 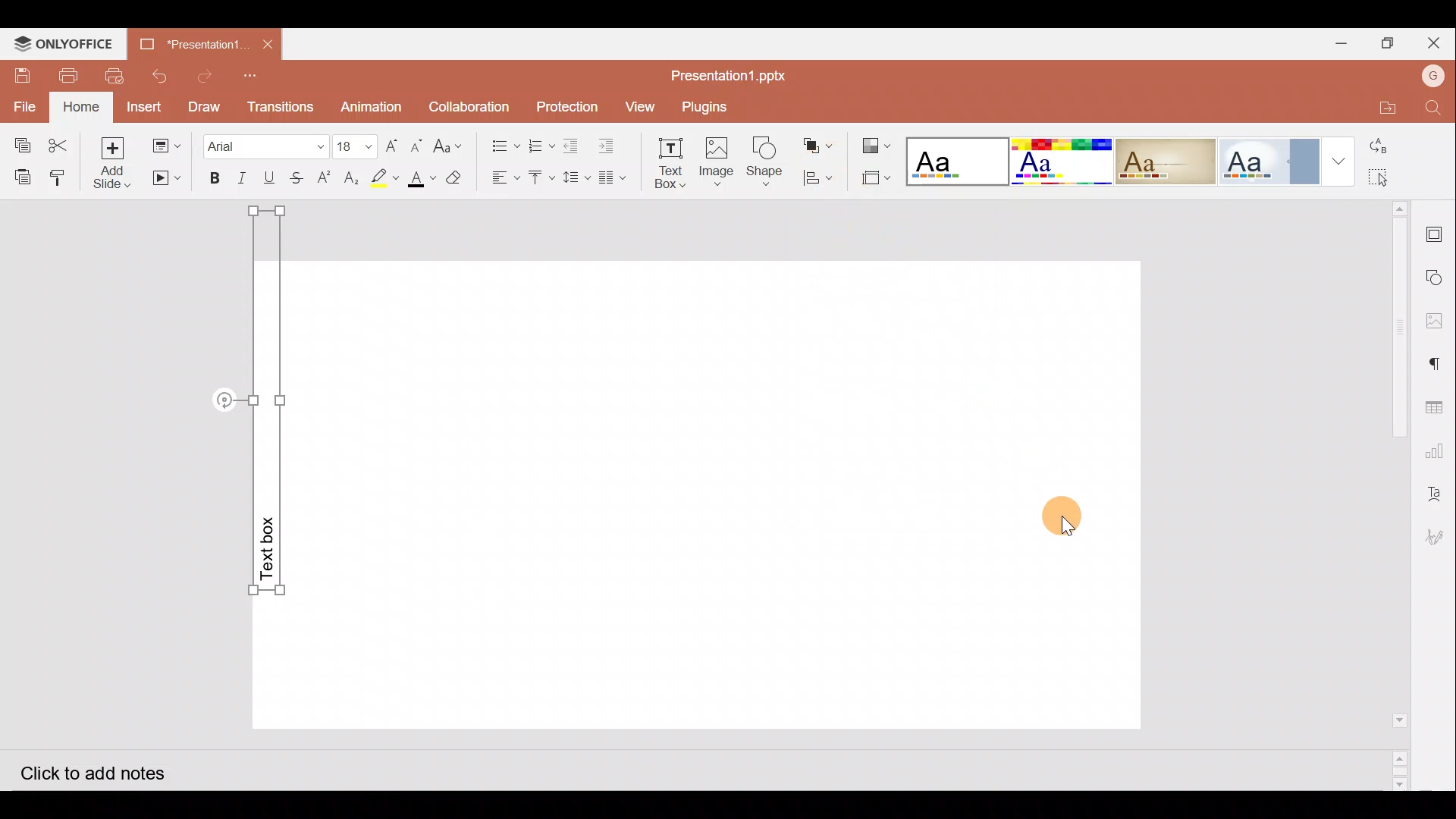 What do you see at coordinates (1441, 362) in the screenshot?
I see `Paragraph settings` at bounding box center [1441, 362].